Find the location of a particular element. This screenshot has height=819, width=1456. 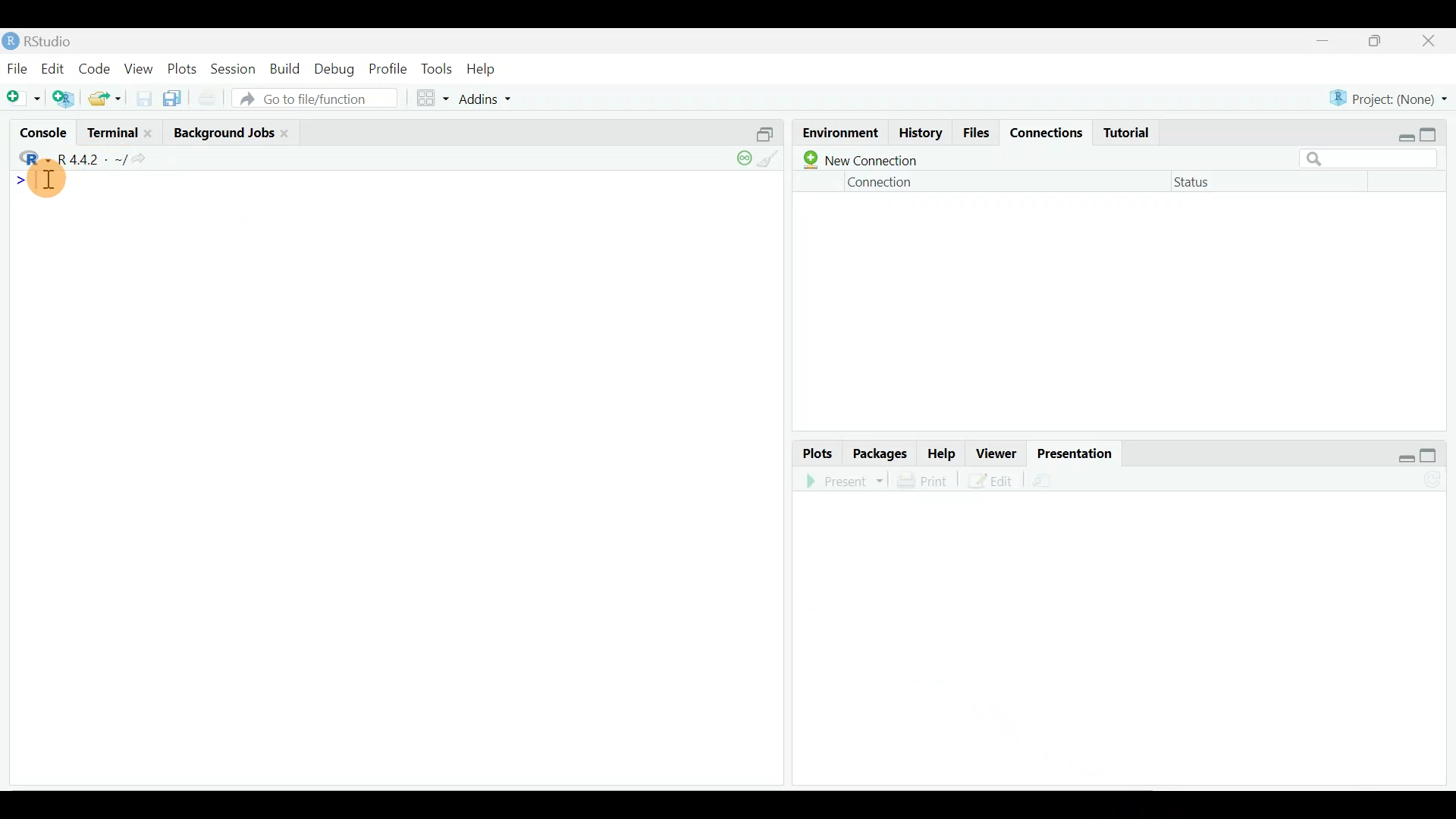

Help is located at coordinates (482, 66).